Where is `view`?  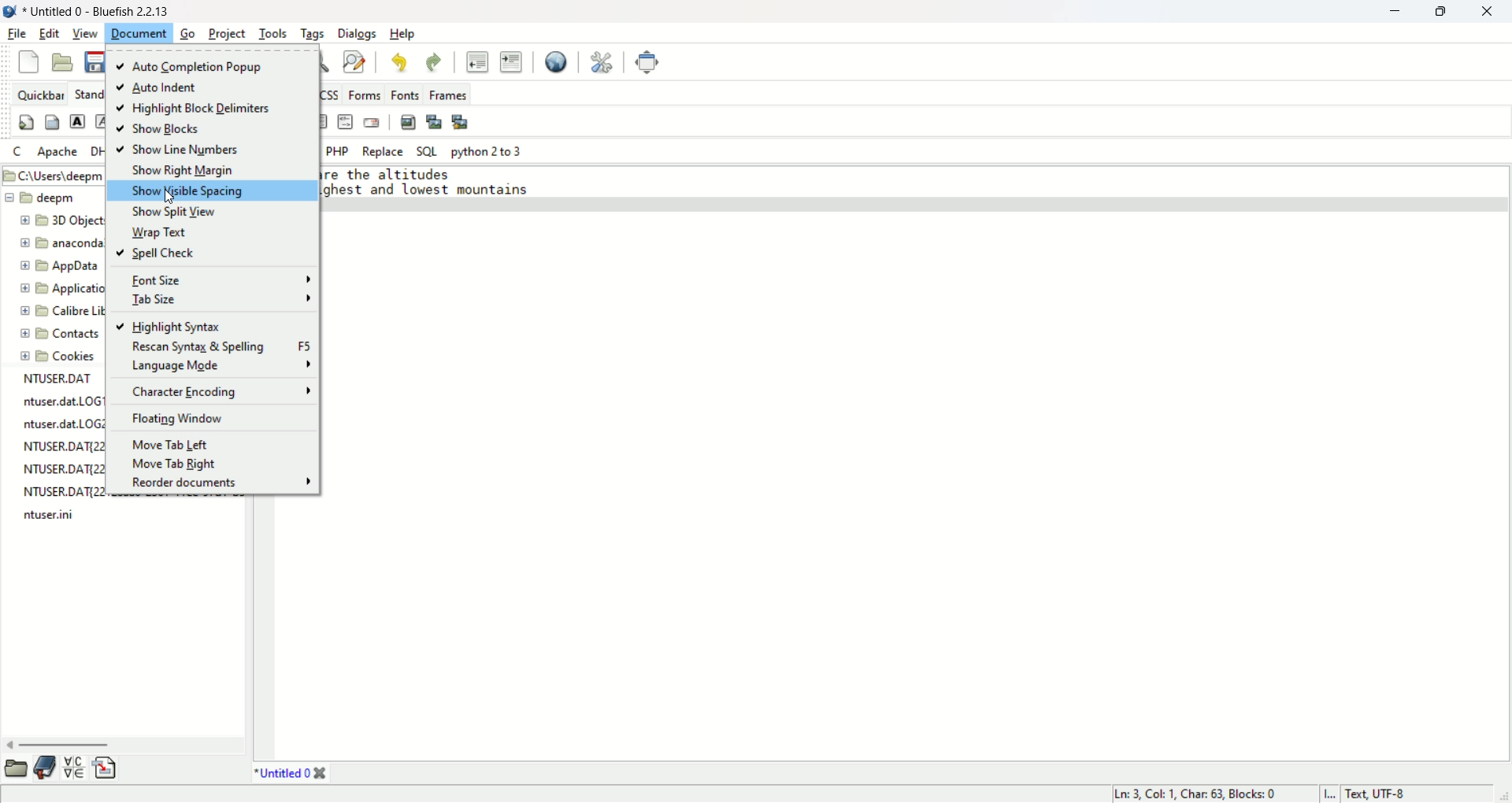
view is located at coordinates (83, 35).